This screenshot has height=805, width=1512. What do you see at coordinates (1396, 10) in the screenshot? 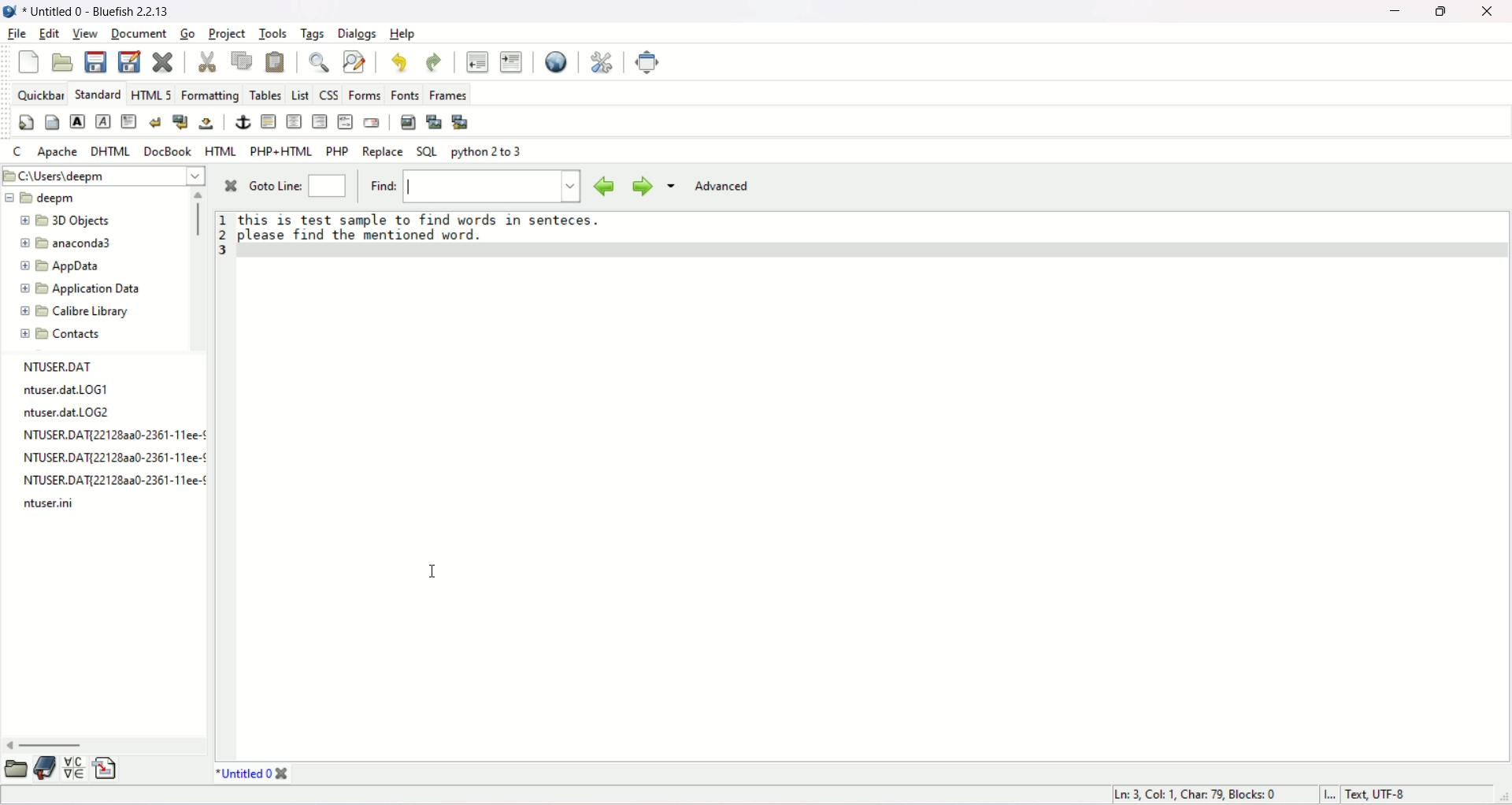
I see `minimize` at bounding box center [1396, 10].